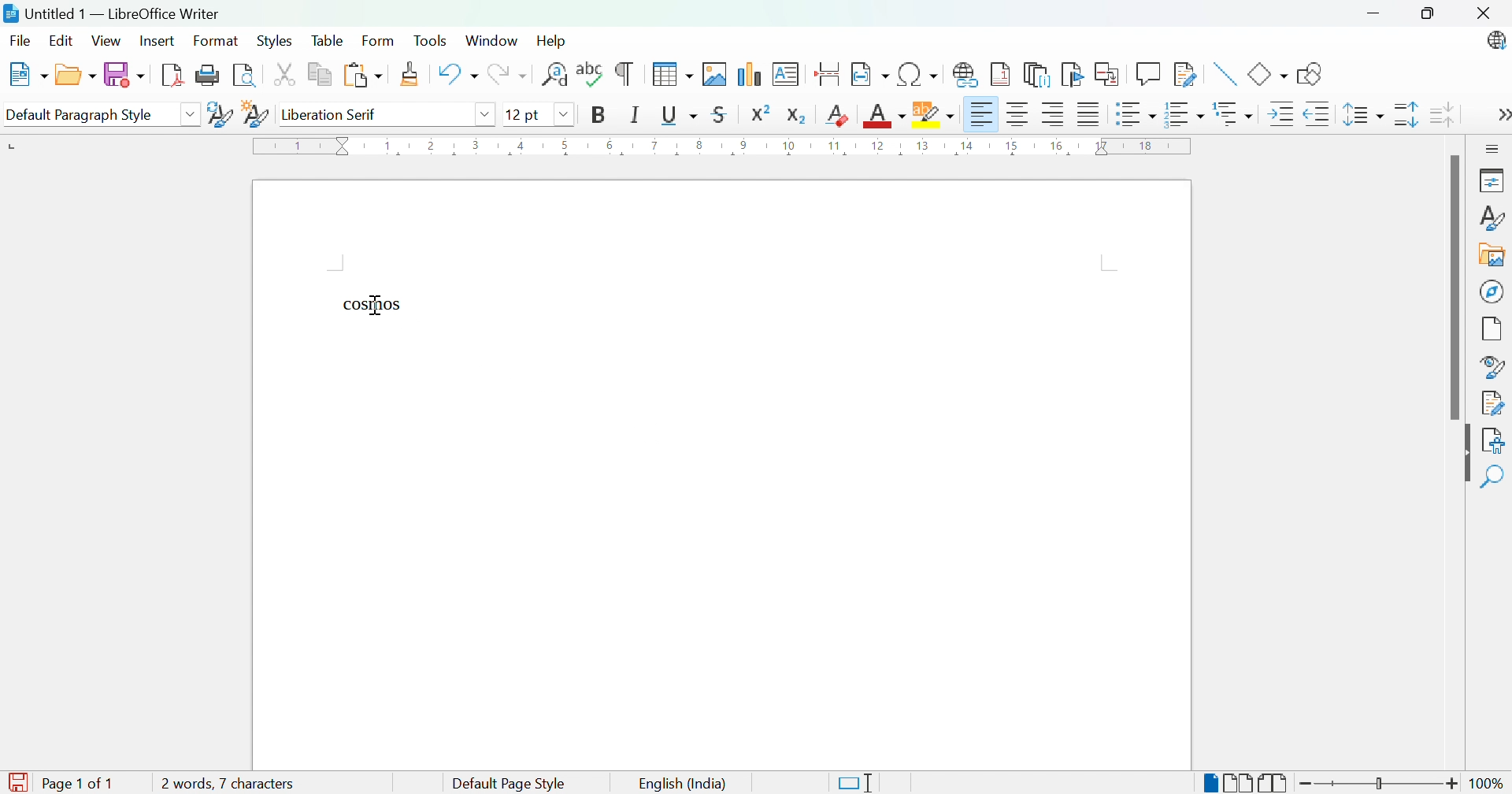 The width and height of the screenshot is (1512, 794). What do you see at coordinates (108, 40) in the screenshot?
I see `View` at bounding box center [108, 40].